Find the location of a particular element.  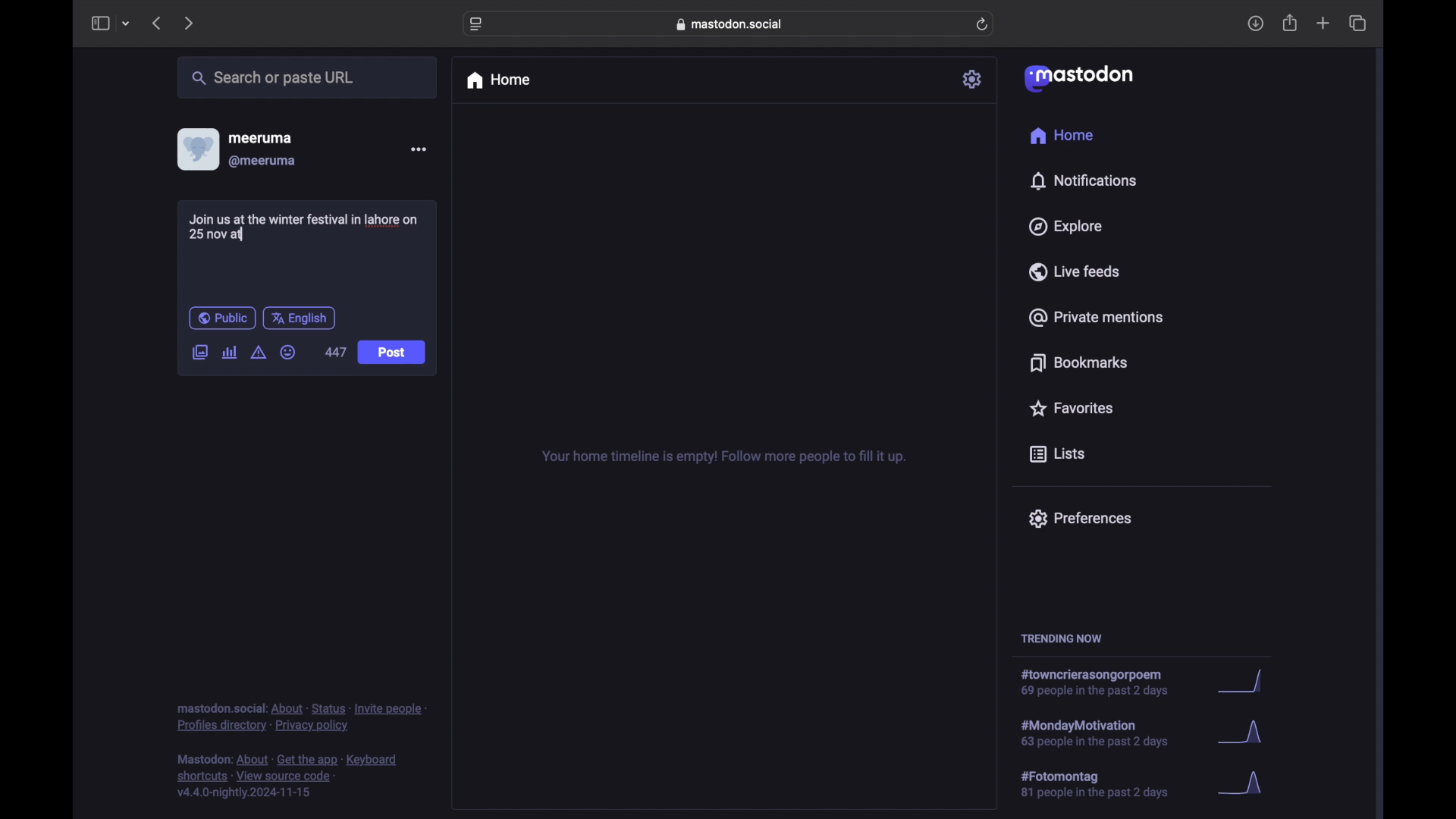

next is located at coordinates (190, 23).